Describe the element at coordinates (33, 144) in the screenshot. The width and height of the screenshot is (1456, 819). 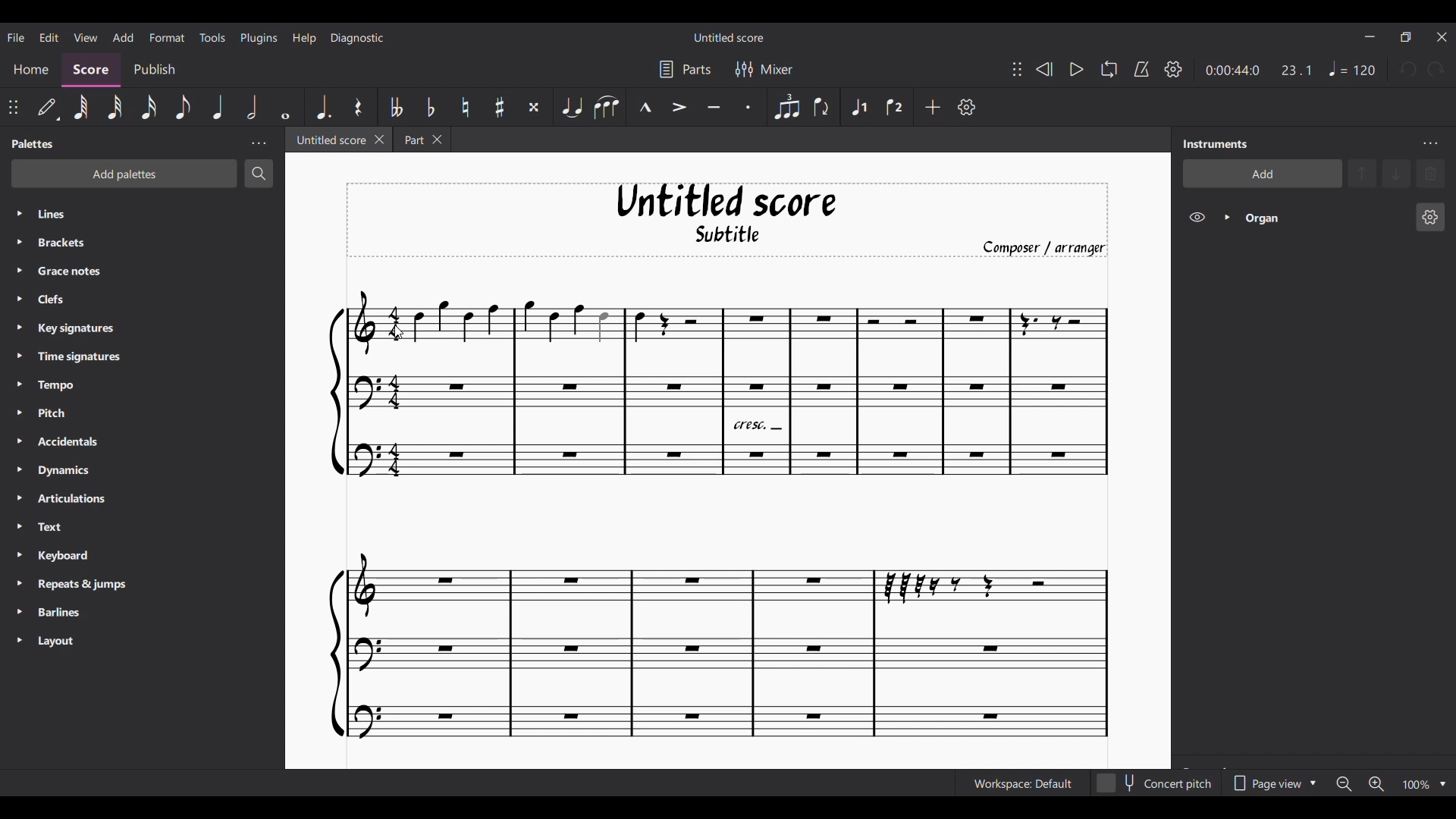
I see `Palette title` at that location.